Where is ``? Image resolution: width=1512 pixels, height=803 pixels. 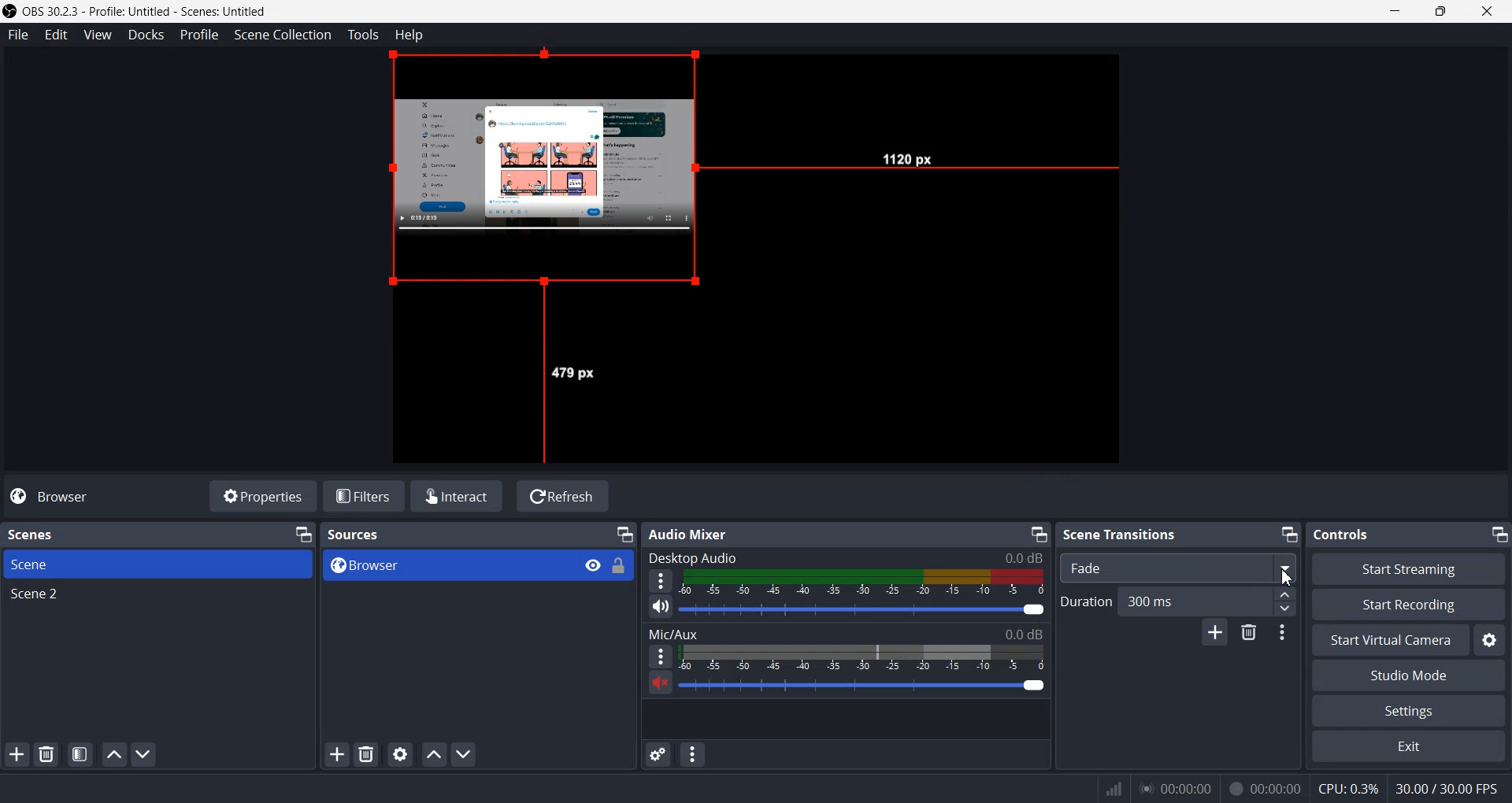  is located at coordinates (1267, 787).